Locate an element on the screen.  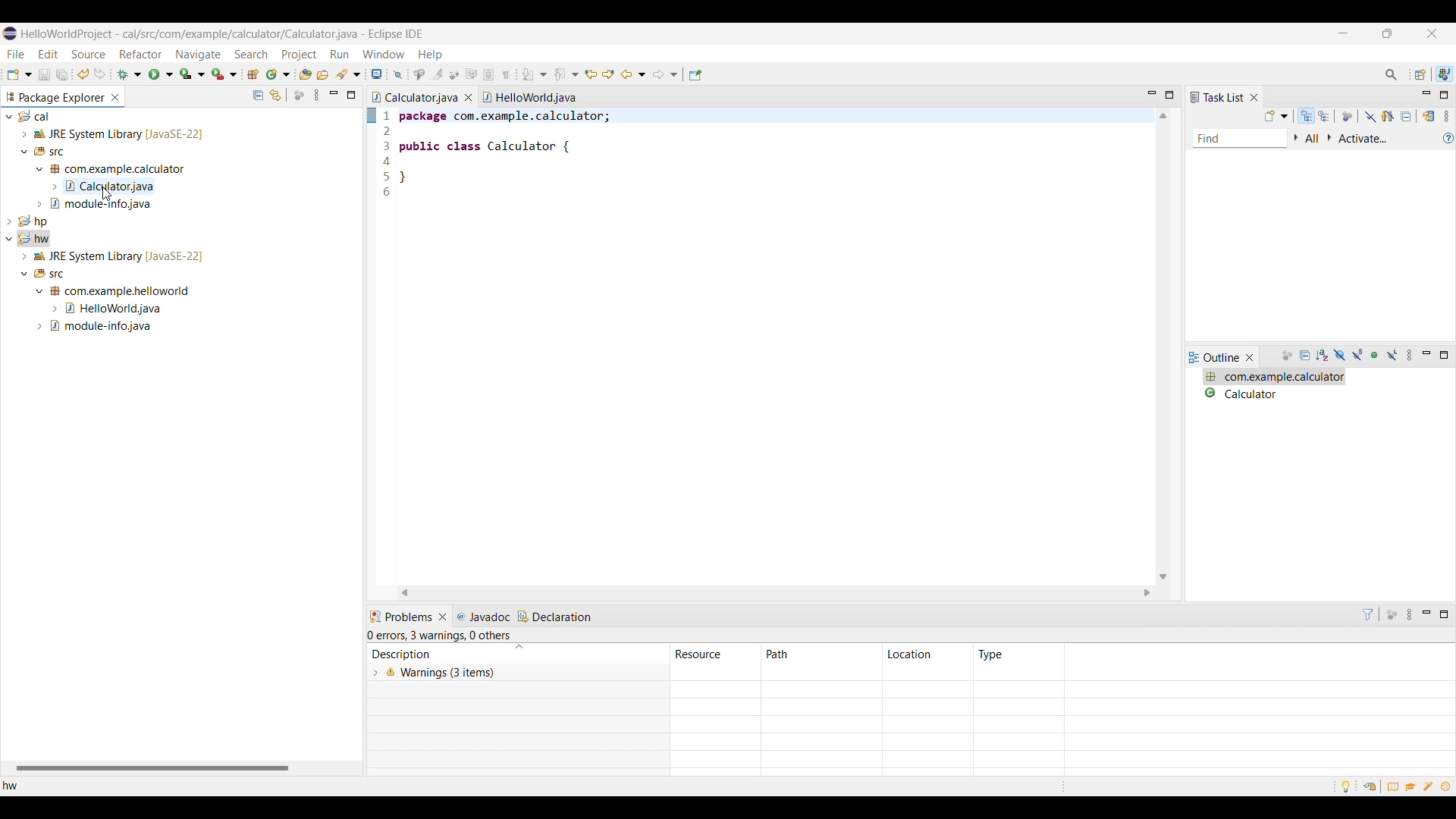
Minimize is located at coordinates (334, 95).